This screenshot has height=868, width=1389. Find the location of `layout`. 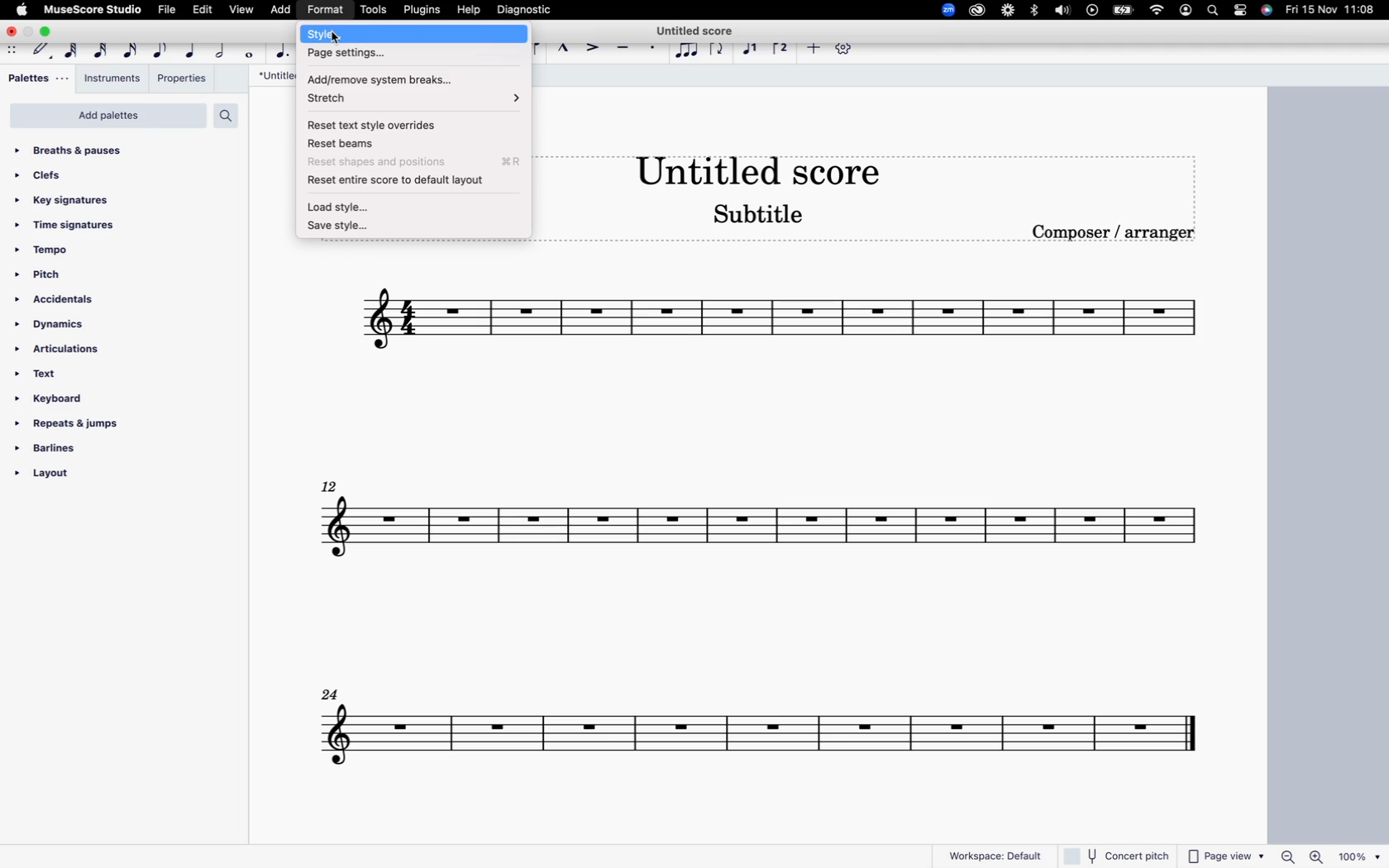

layout is located at coordinates (46, 475).